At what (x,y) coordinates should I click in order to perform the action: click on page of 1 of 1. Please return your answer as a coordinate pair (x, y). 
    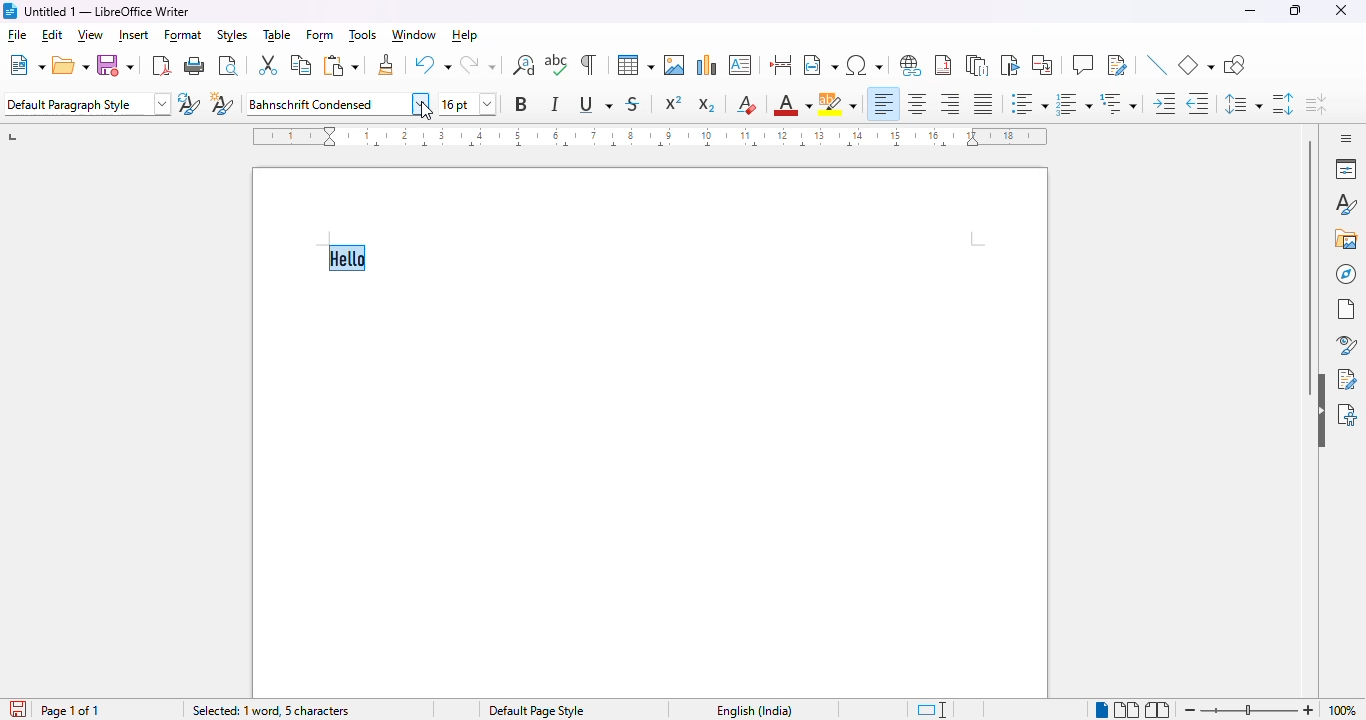
    Looking at the image, I should click on (71, 710).